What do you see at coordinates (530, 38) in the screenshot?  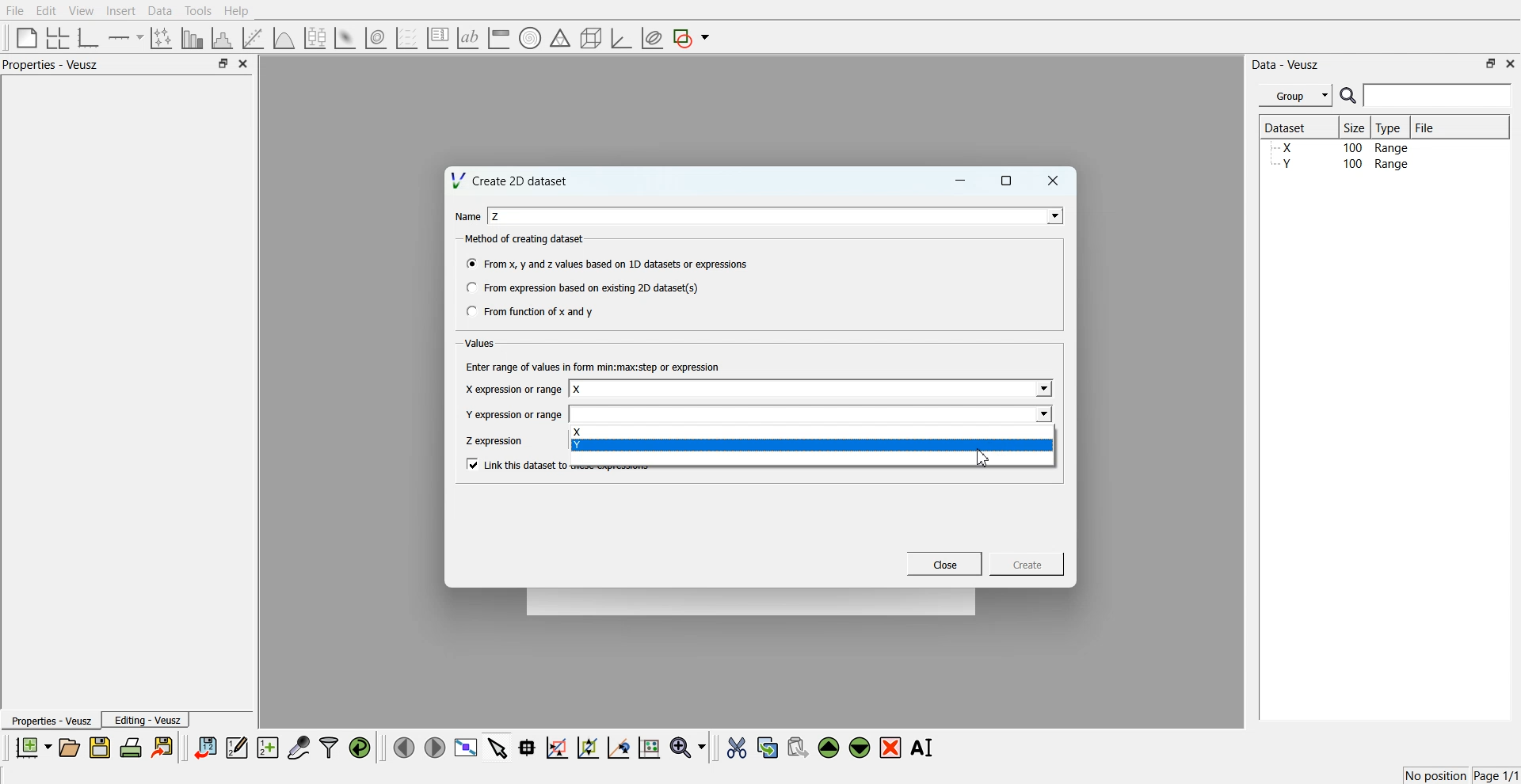 I see `Polar Graph` at bounding box center [530, 38].